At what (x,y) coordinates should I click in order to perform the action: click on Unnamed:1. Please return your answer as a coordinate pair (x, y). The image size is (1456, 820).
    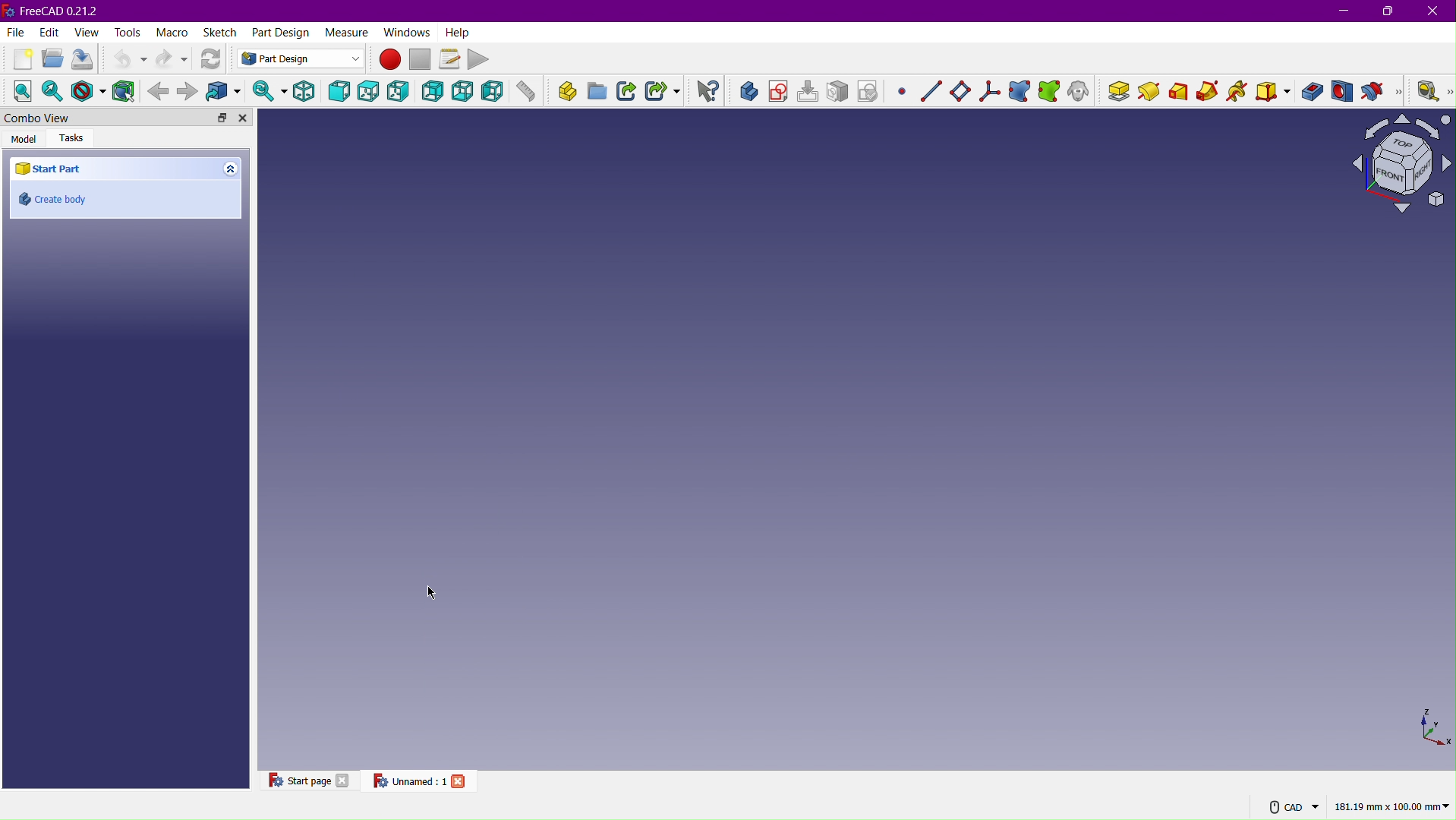
    Looking at the image, I should click on (420, 781).